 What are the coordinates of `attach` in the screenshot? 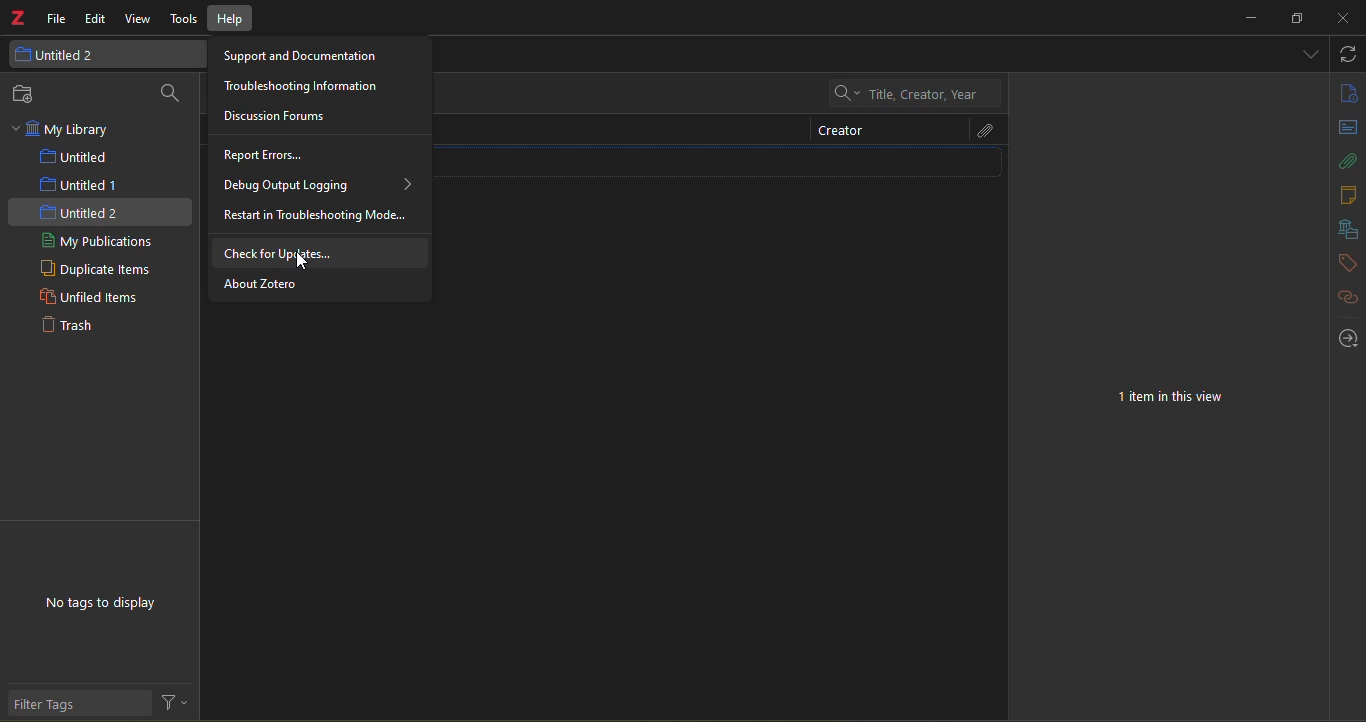 It's located at (980, 130).